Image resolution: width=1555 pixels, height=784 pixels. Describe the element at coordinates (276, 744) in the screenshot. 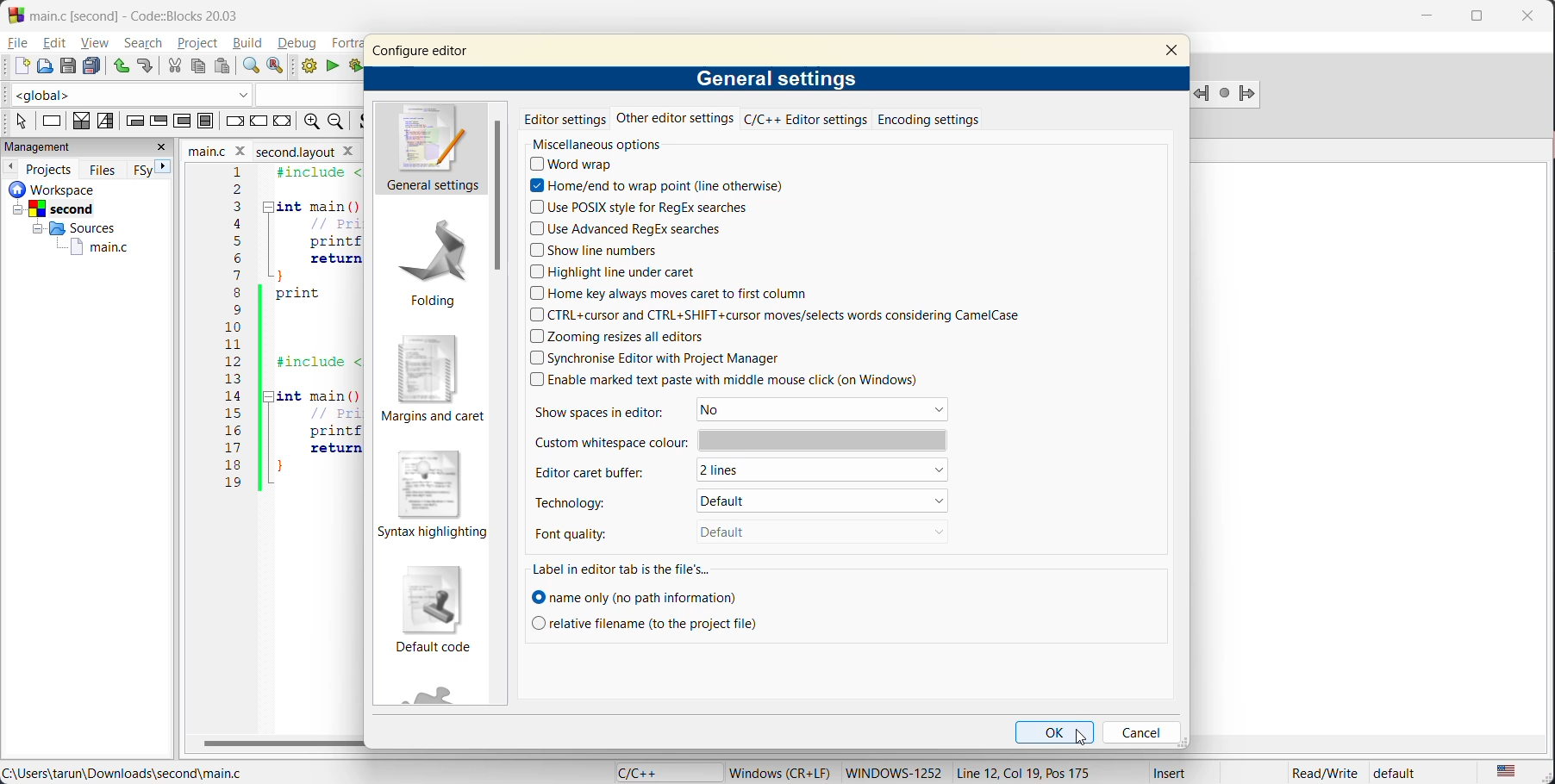

I see `horizontal scroll bar` at that location.